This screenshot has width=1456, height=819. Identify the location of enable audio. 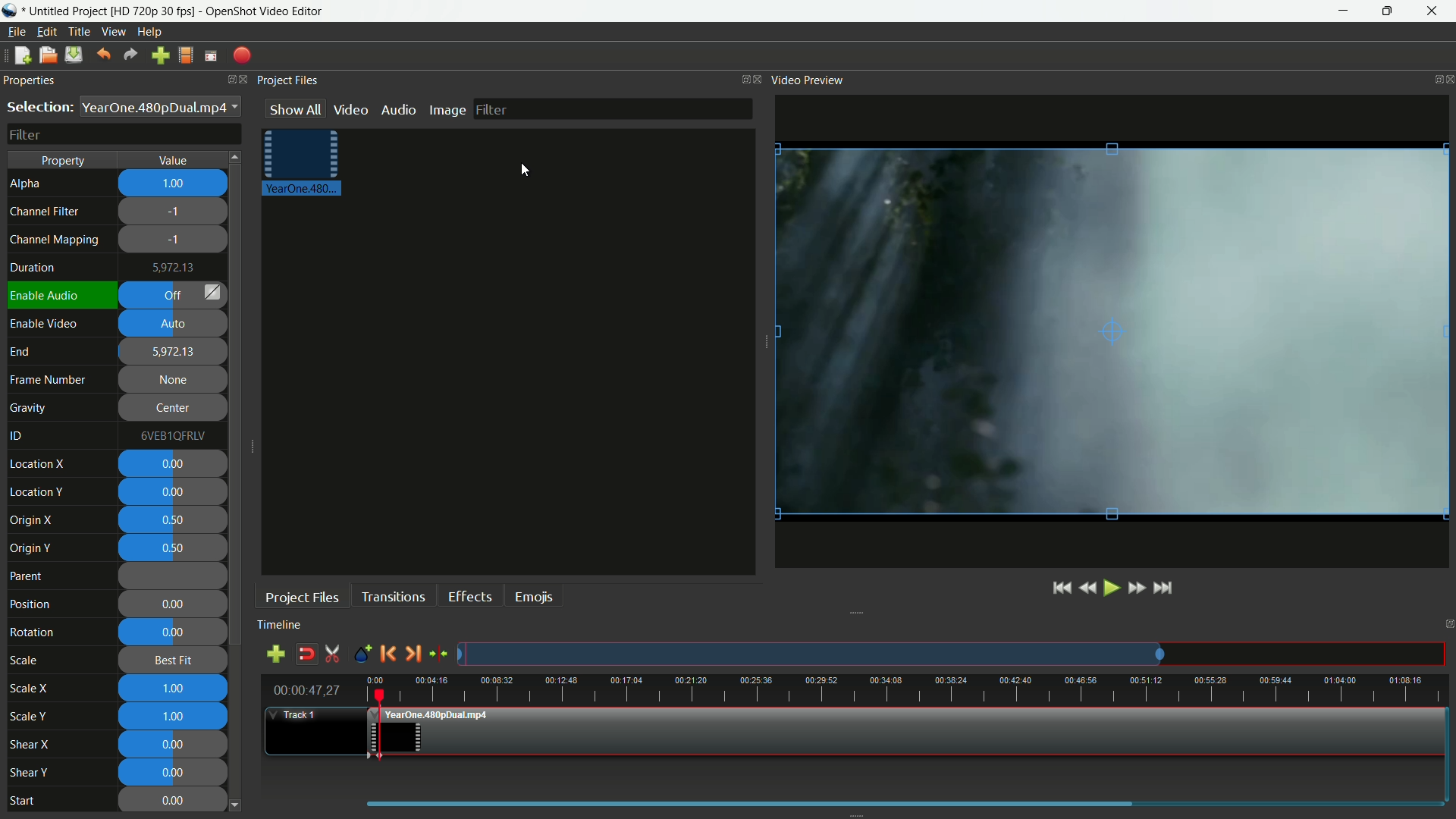
(46, 296).